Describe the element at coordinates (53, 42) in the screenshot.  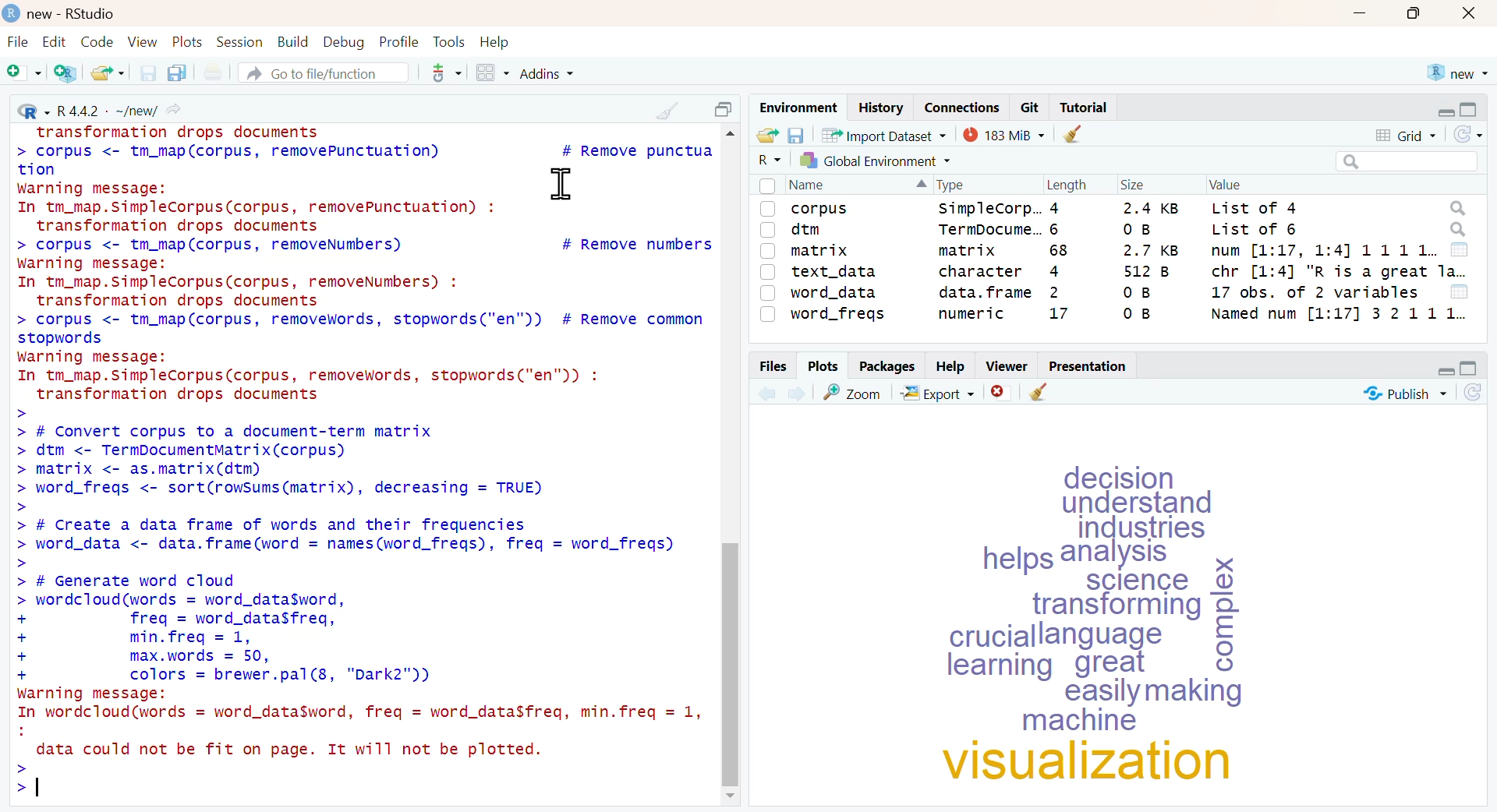
I see `Edit` at that location.